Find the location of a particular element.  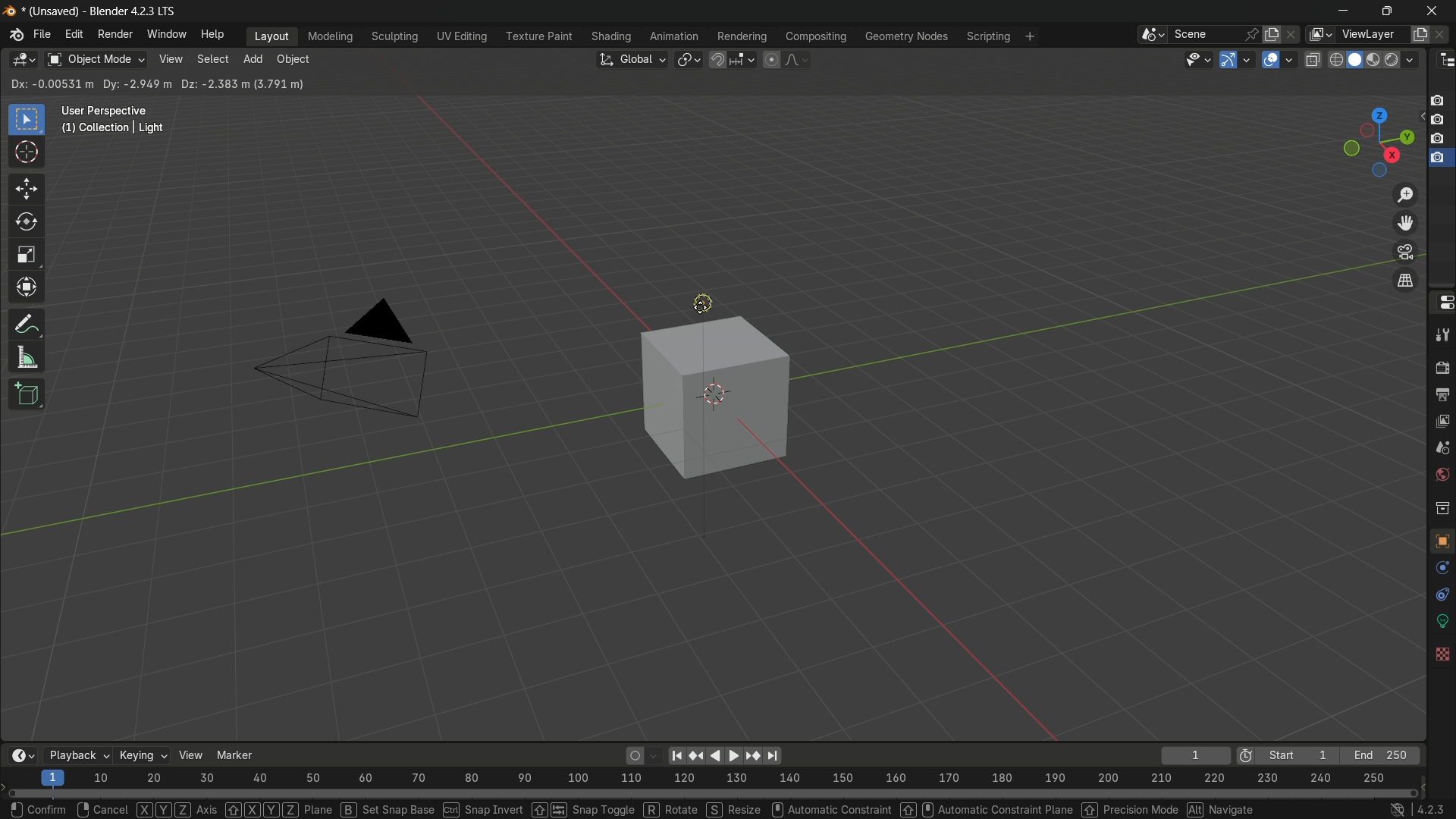

maximize or restore is located at coordinates (1386, 11).